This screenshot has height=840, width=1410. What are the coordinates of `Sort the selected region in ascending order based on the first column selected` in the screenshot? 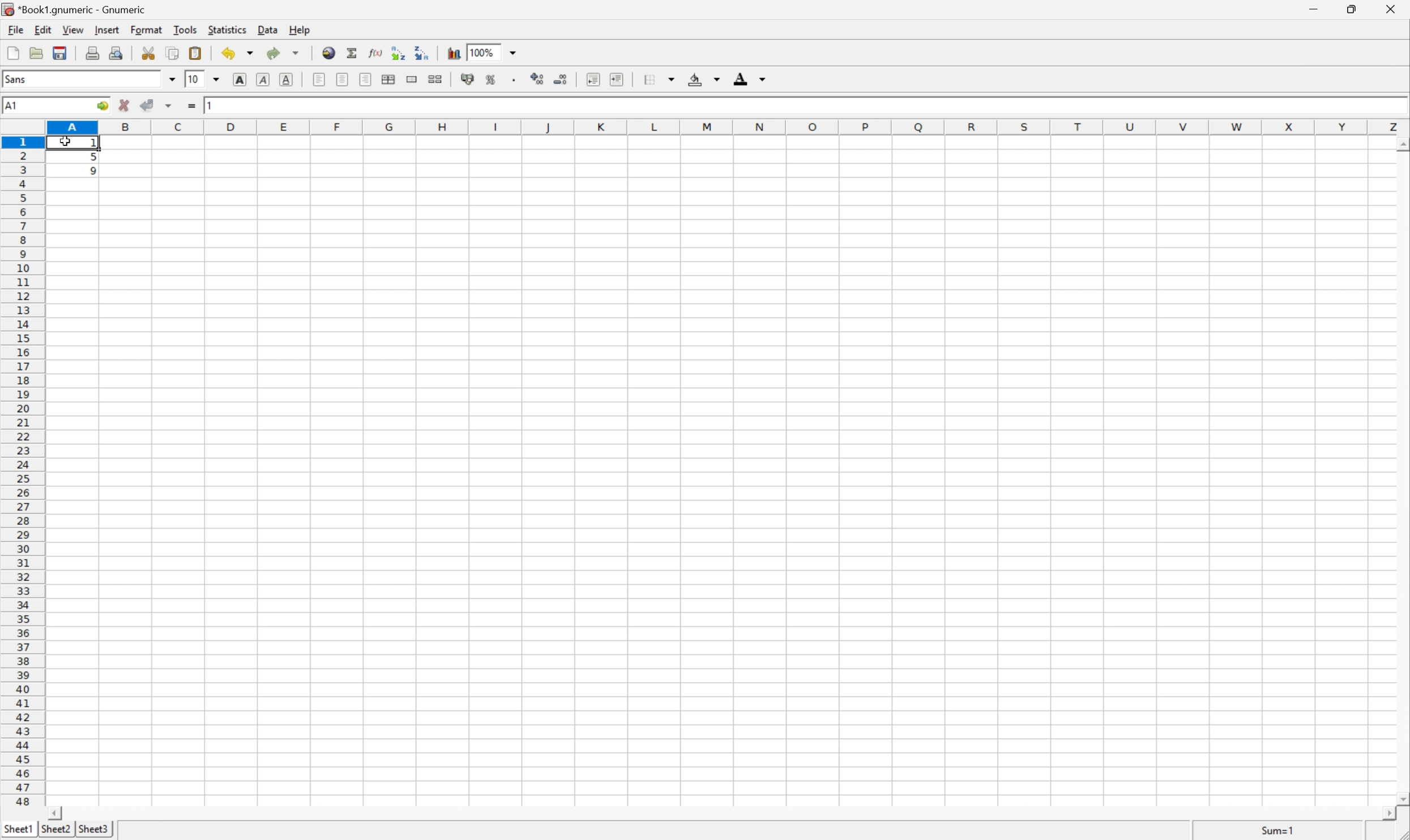 It's located at (399, 52).